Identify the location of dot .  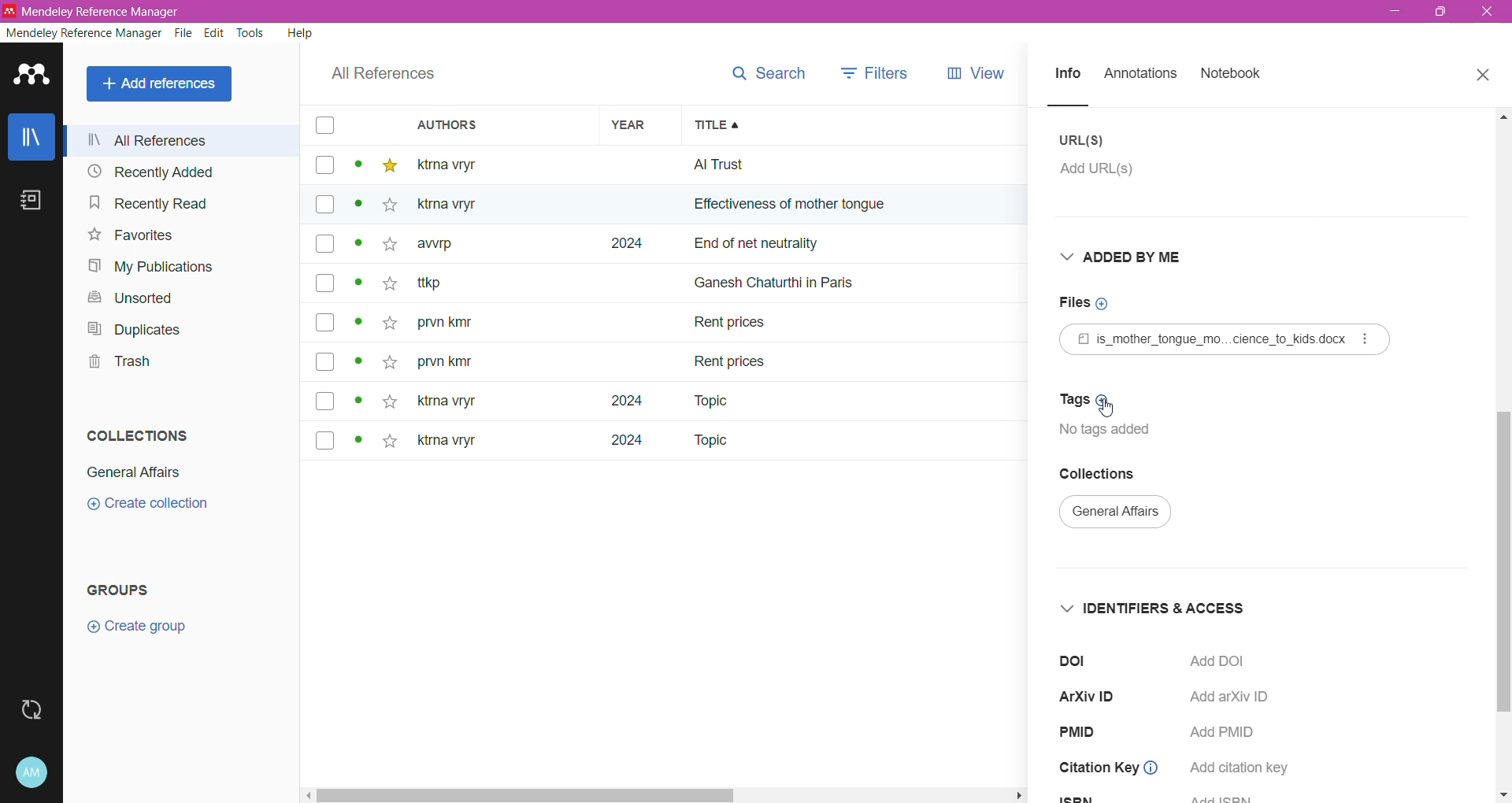
(354, 442).